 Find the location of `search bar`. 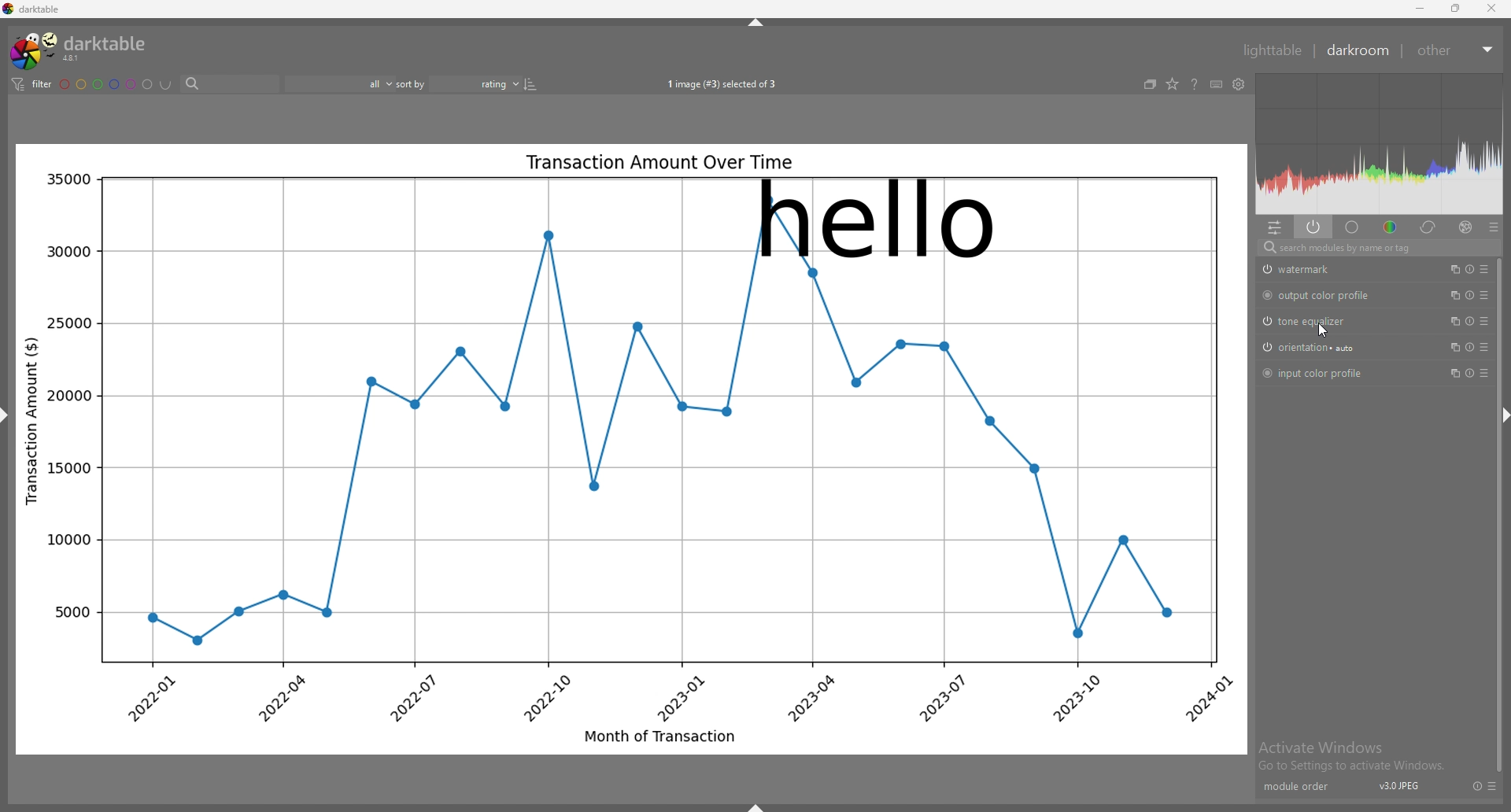

search bar is located at coordinates (231, 84).